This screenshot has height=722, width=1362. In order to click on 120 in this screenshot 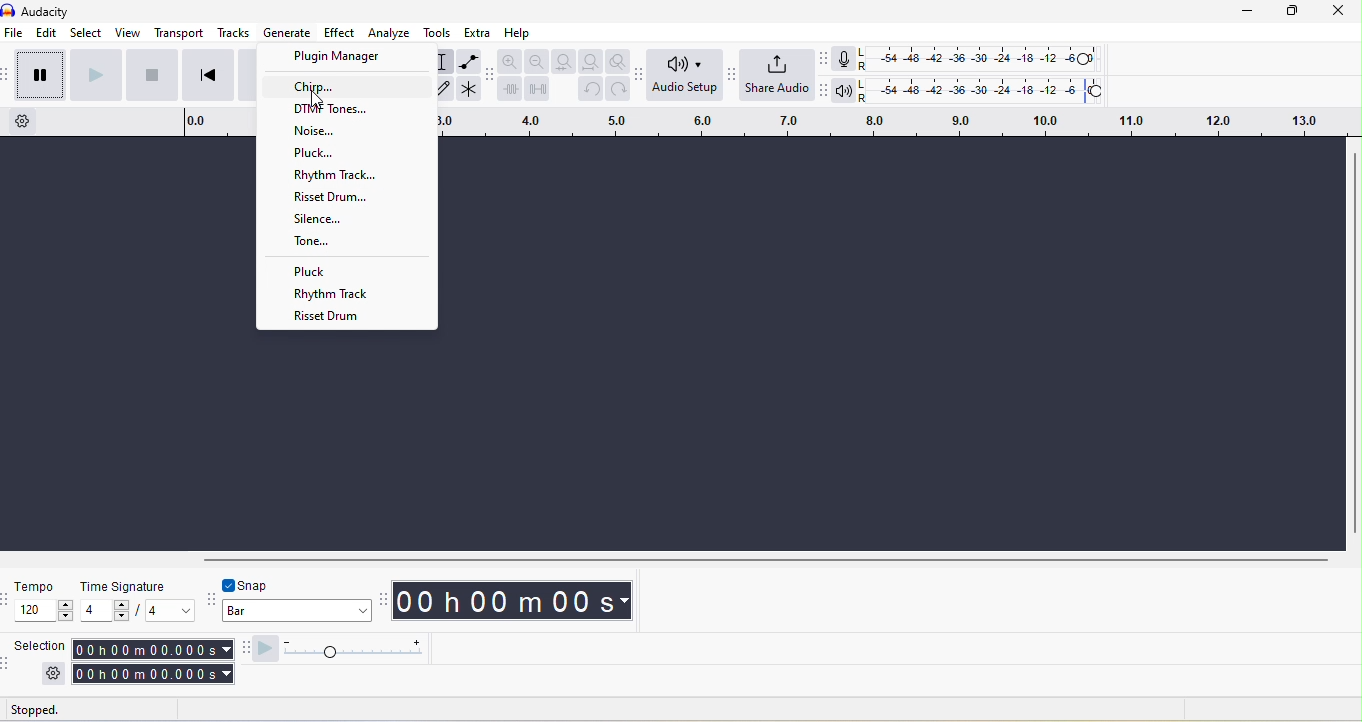, I will do `click(45, 611)`.